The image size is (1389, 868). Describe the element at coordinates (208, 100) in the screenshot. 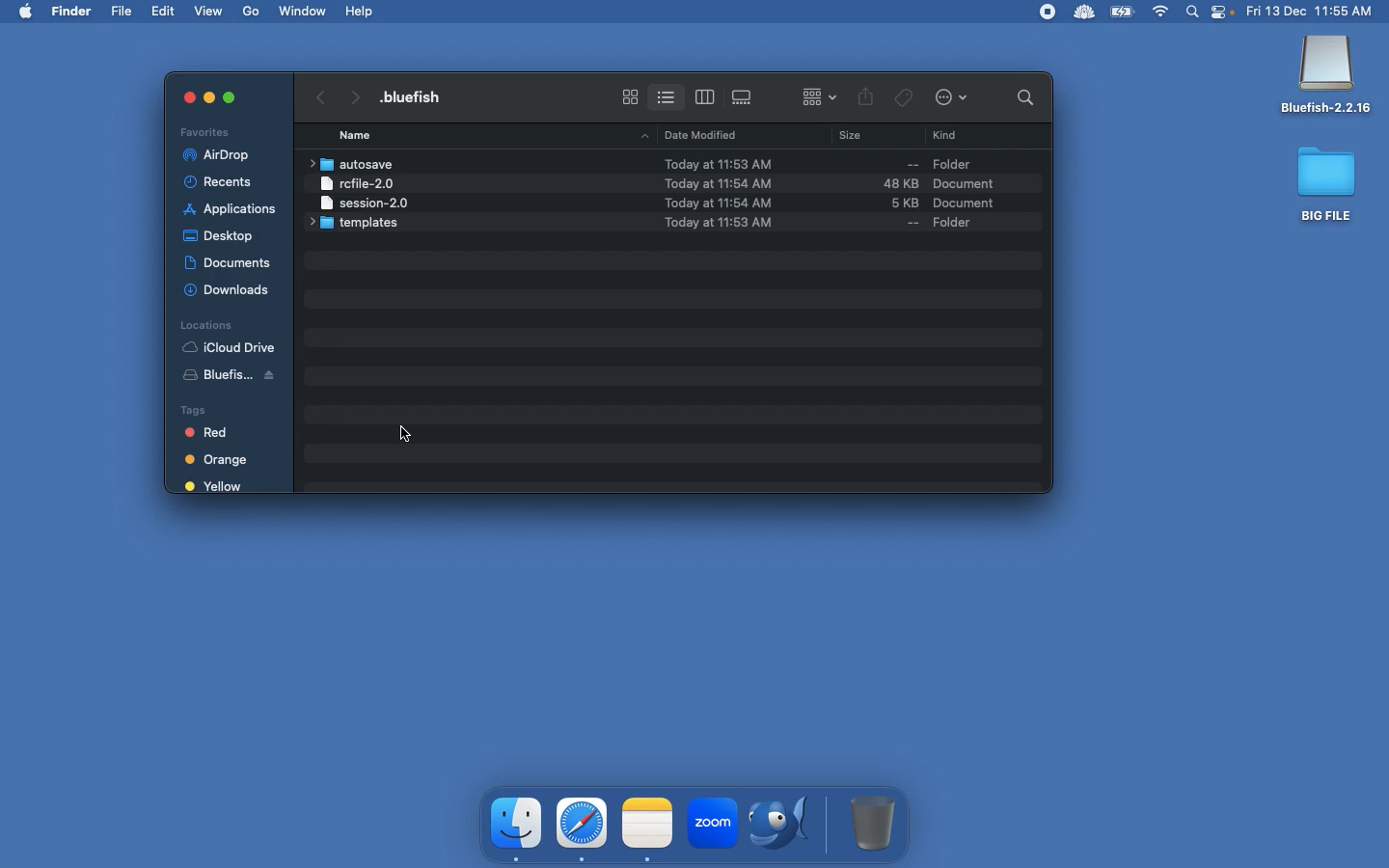

I see `minimize` at that location.